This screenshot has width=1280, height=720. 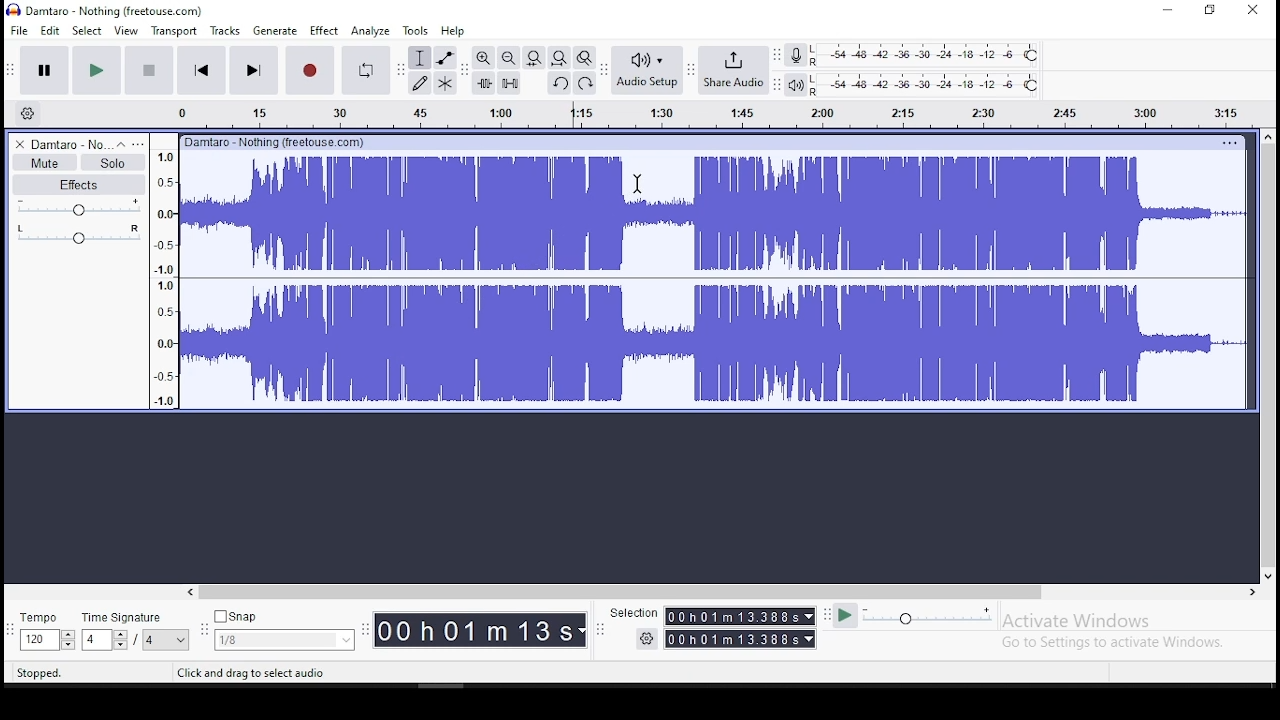 I want to click on audio setup, so click(x=647, y=70).